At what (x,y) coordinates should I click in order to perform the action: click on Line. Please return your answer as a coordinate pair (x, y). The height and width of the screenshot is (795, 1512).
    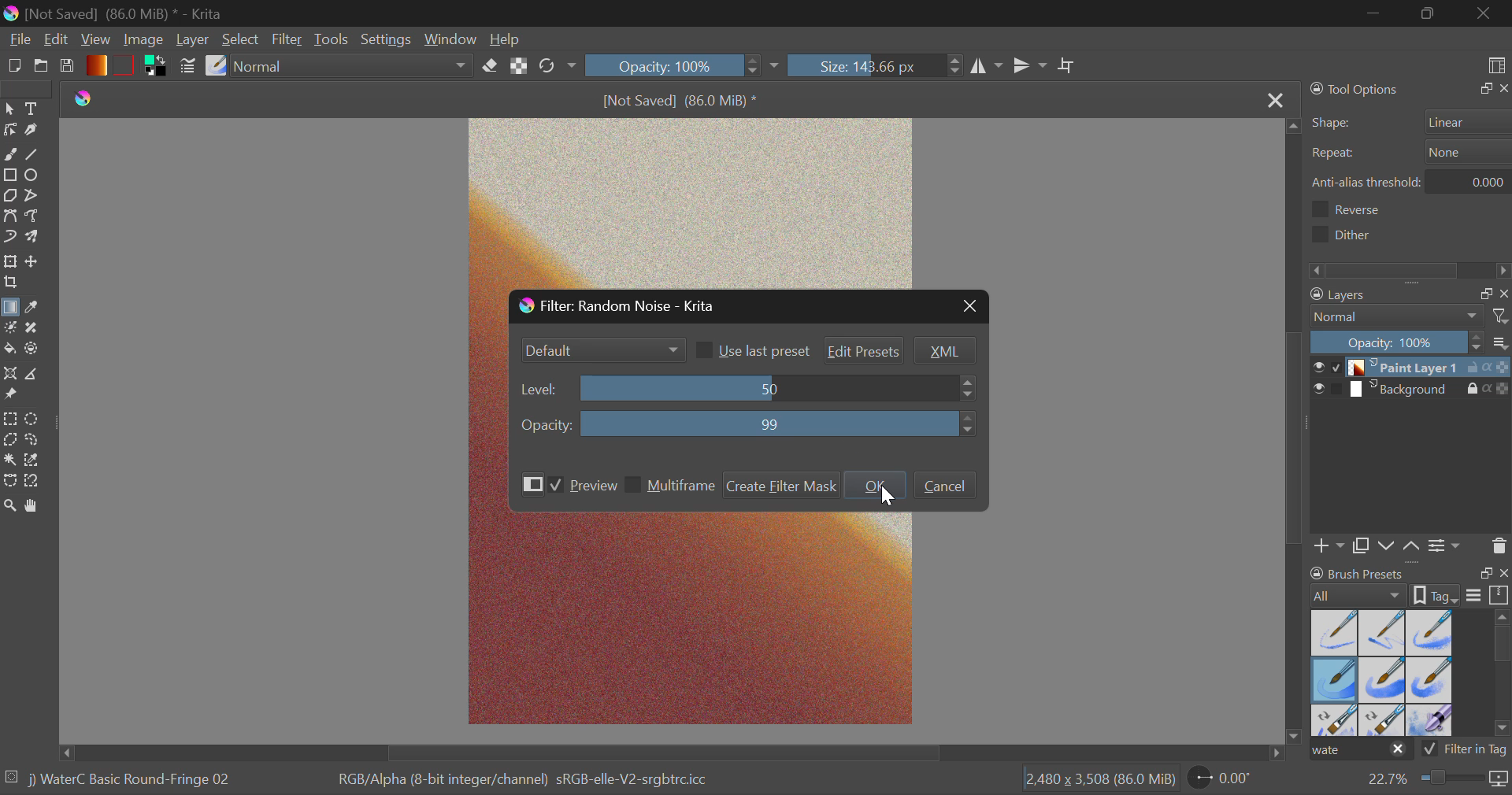
    Looking at the image, I should click on (37, 153).